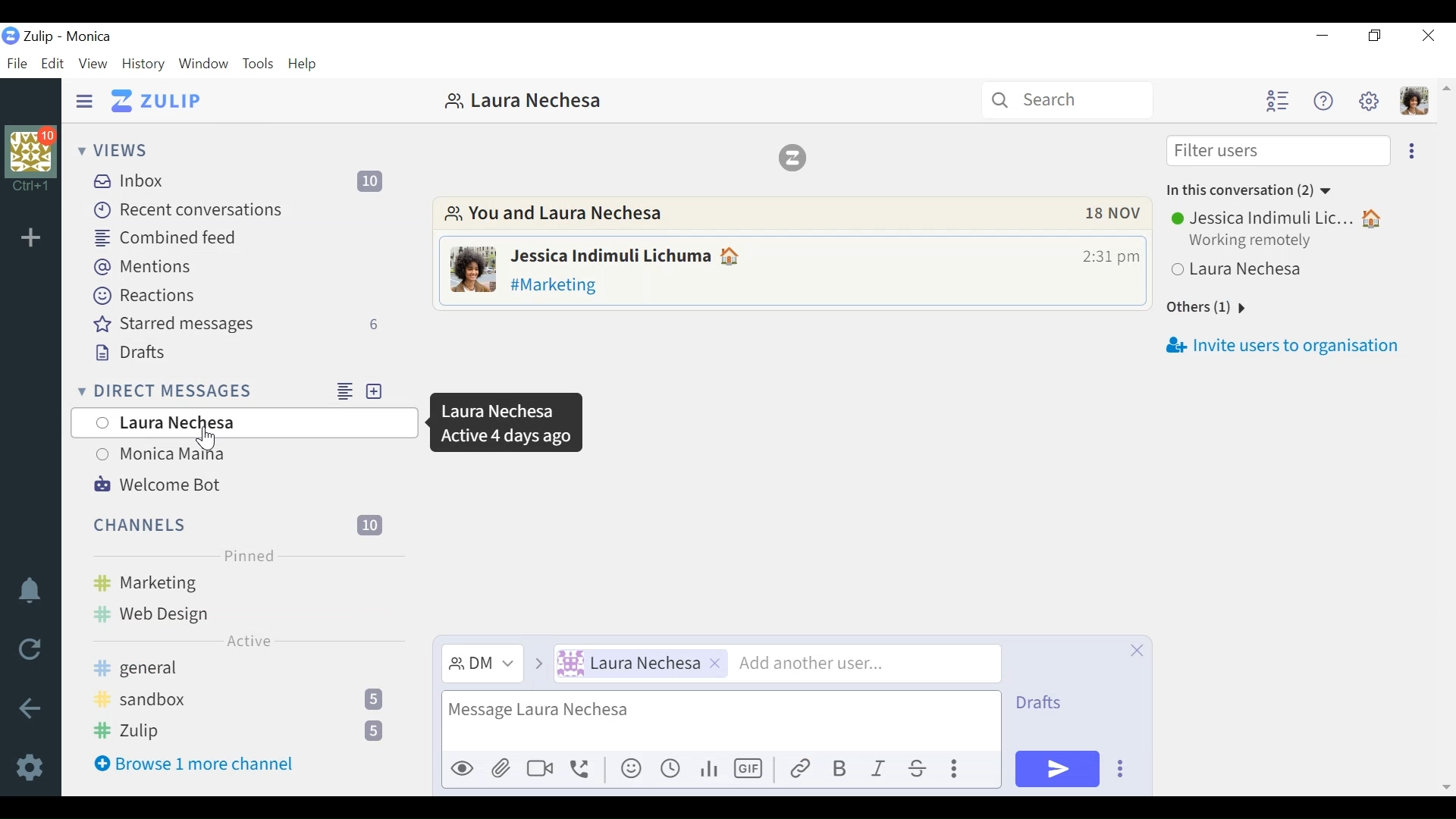  Describe the element at coordinates (633, 768) in the screenshot. I see `Add emoji` at that location.